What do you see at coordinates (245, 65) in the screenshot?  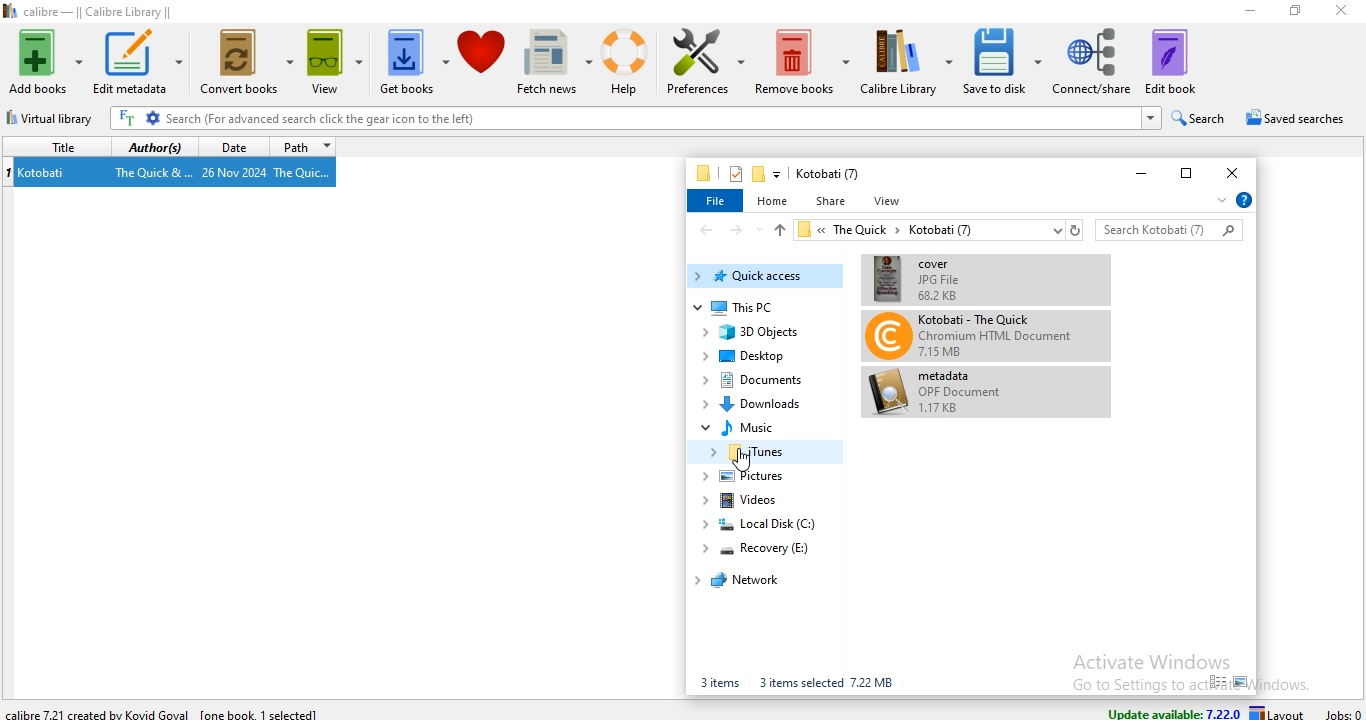 I see `convert books` at bounding box center [245, 65].